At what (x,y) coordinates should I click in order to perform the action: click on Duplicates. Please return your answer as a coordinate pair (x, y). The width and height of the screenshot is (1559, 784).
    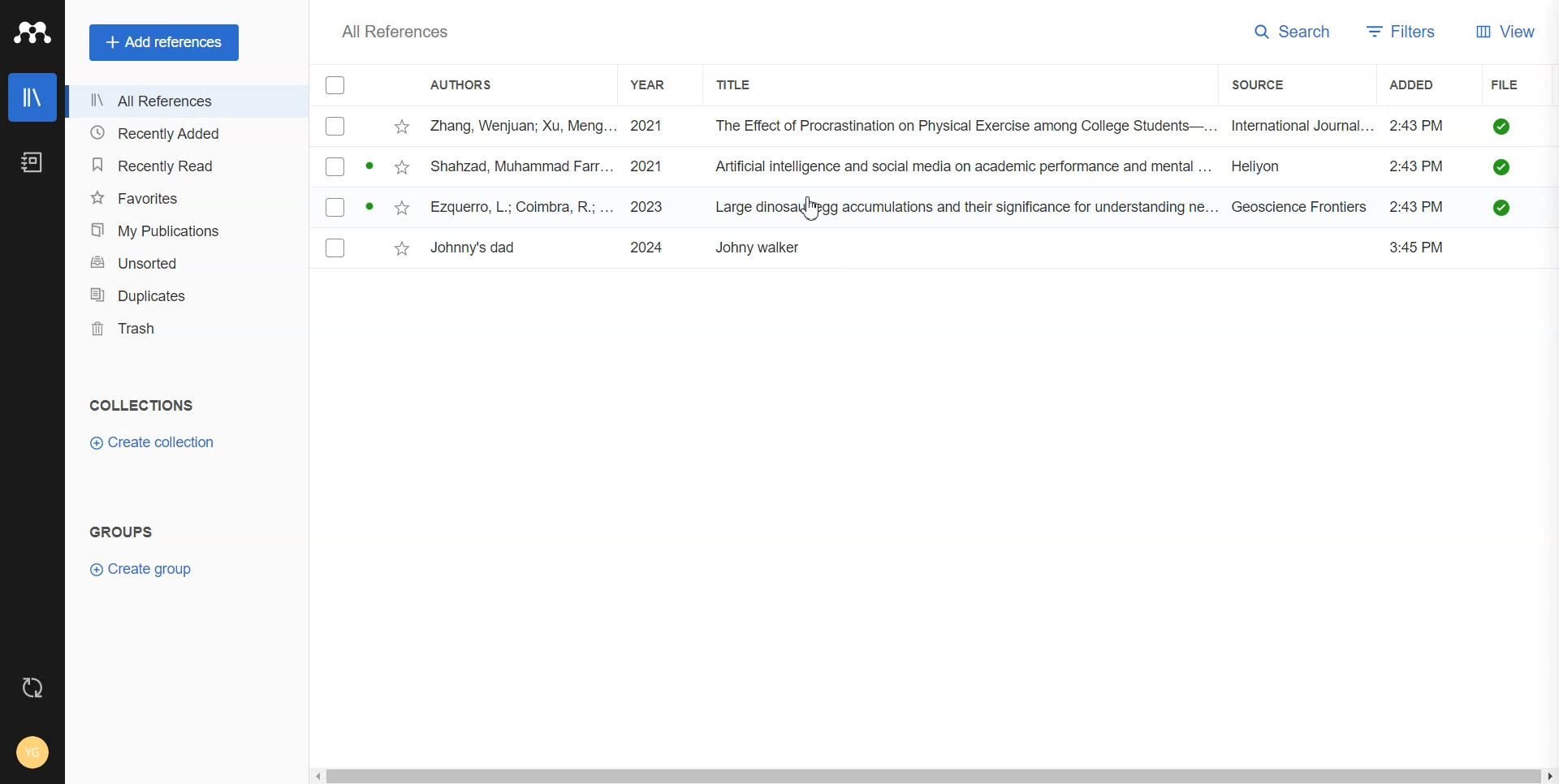
    Looking at the image, I should click on (179, 293).